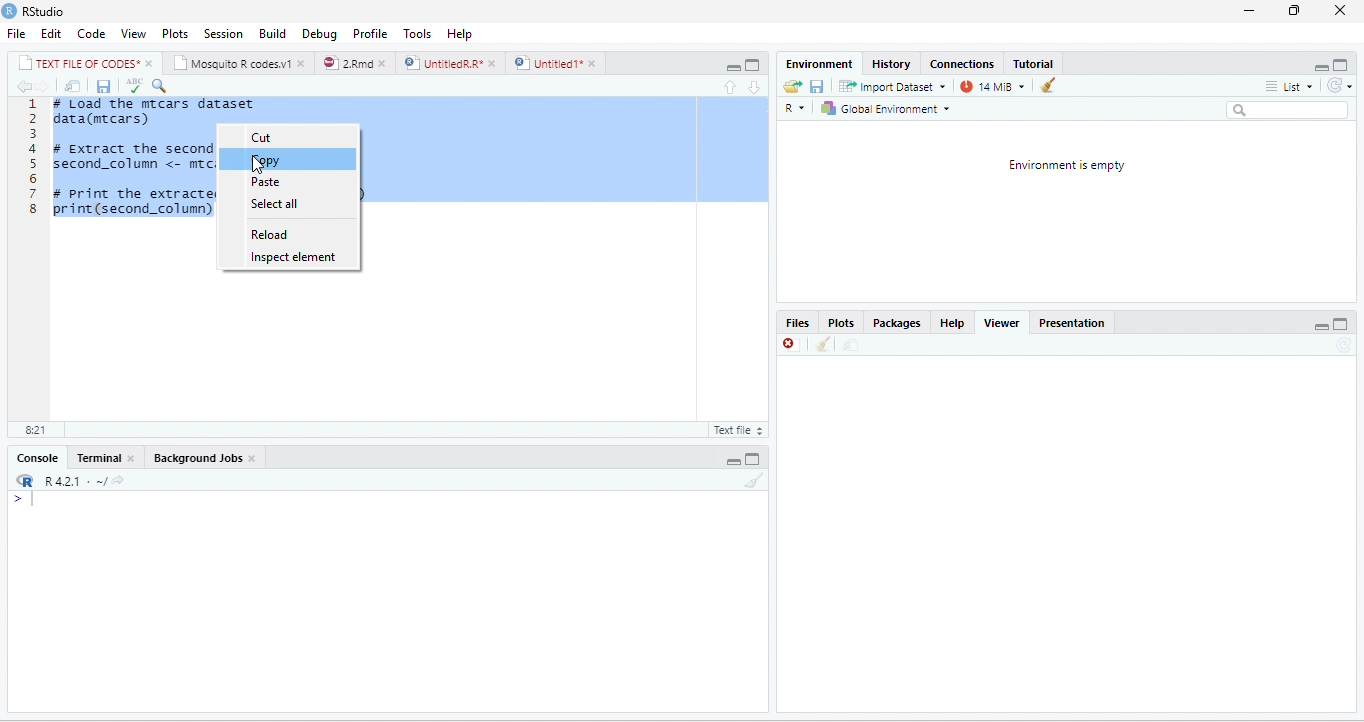 Image resolution: width=1364 pixels, height=722 pixels. What do you see at coordinates (899, 324) in the screenshot?
I see `Packages` at bounding box center [899, 324].